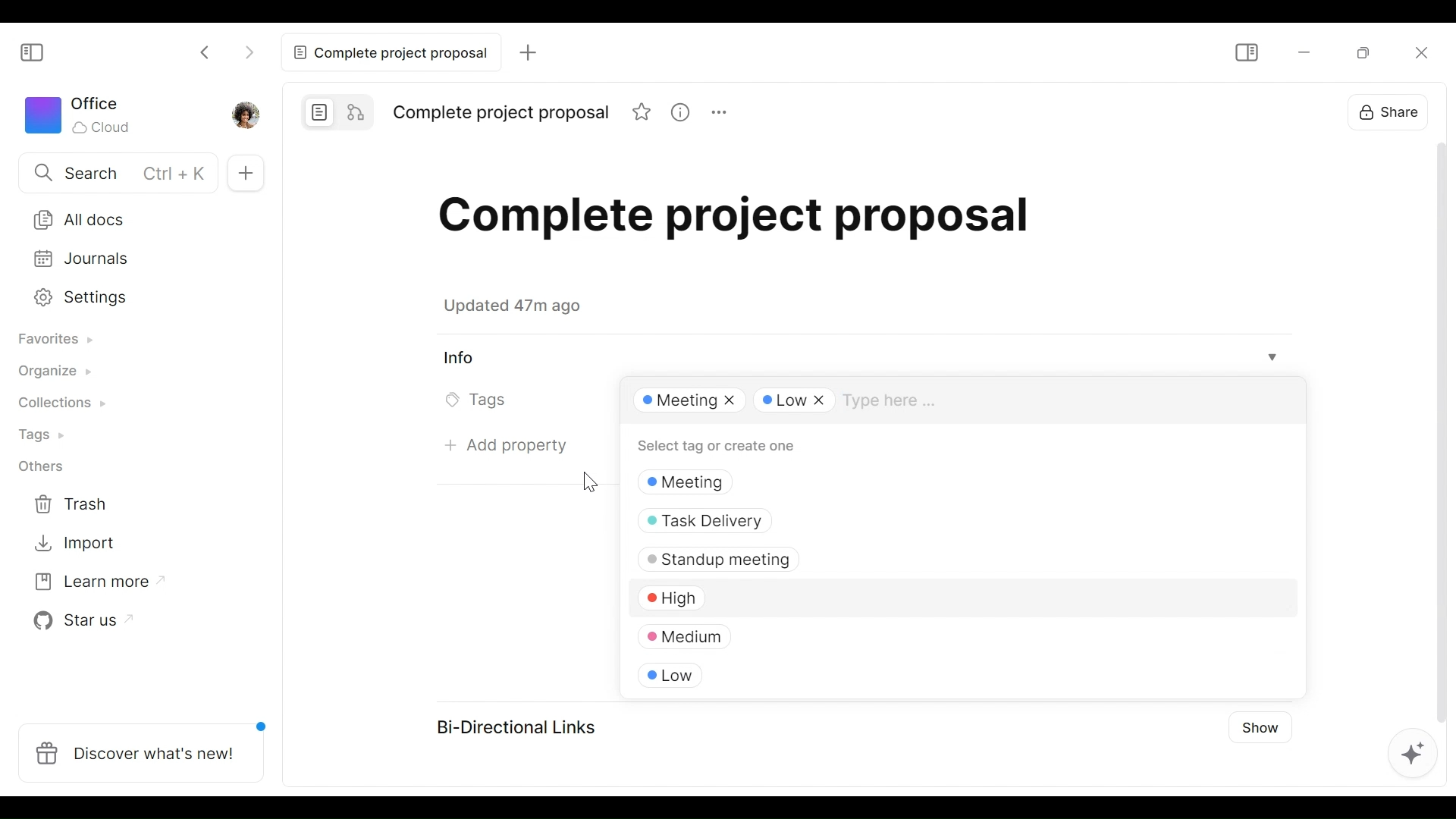 The width and height of the screenshot is (1456, 819). I want to click on Low, so click(732, 673).